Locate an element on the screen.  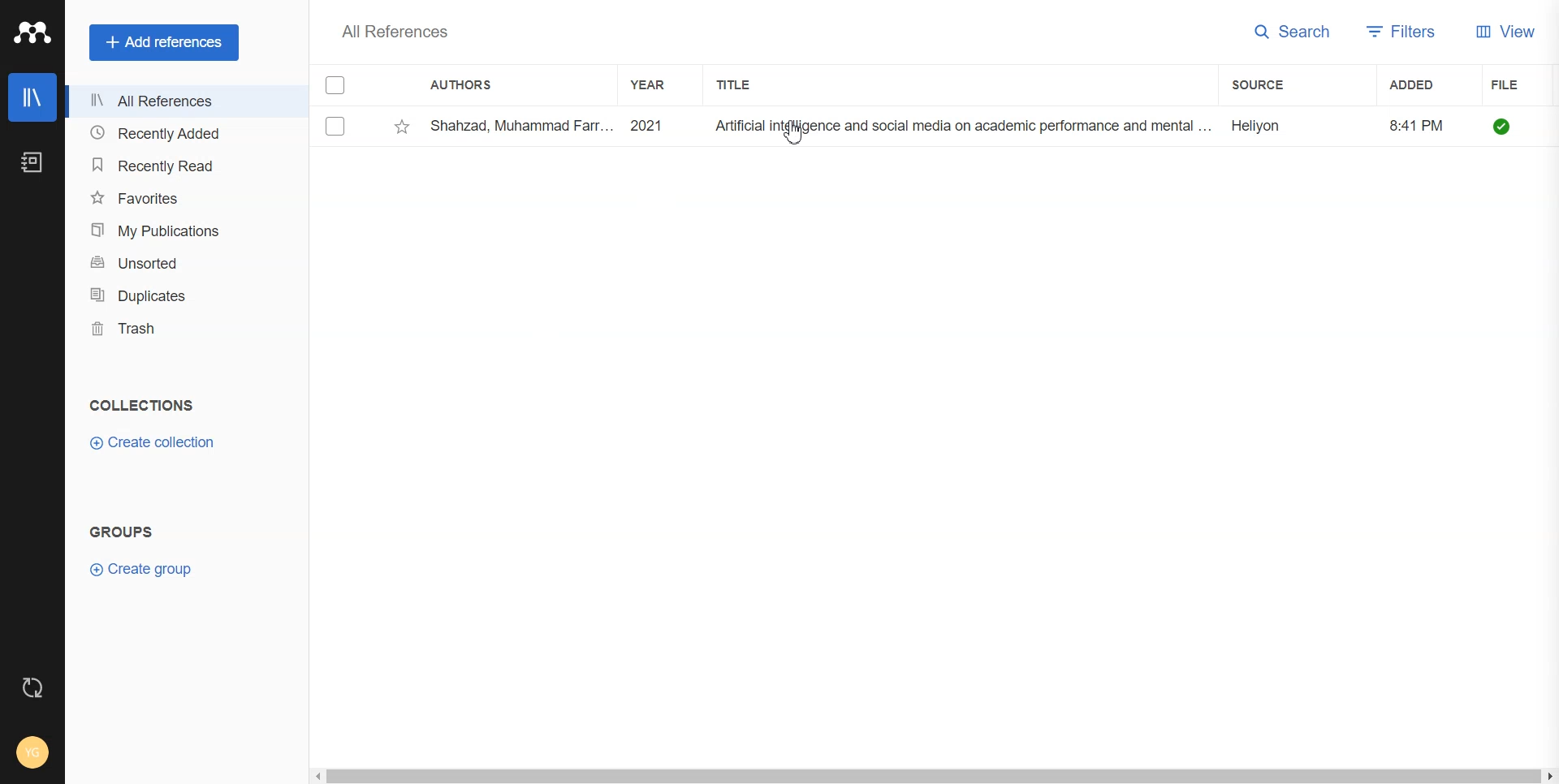
Checkmarks is located at coordinates (335, 84).